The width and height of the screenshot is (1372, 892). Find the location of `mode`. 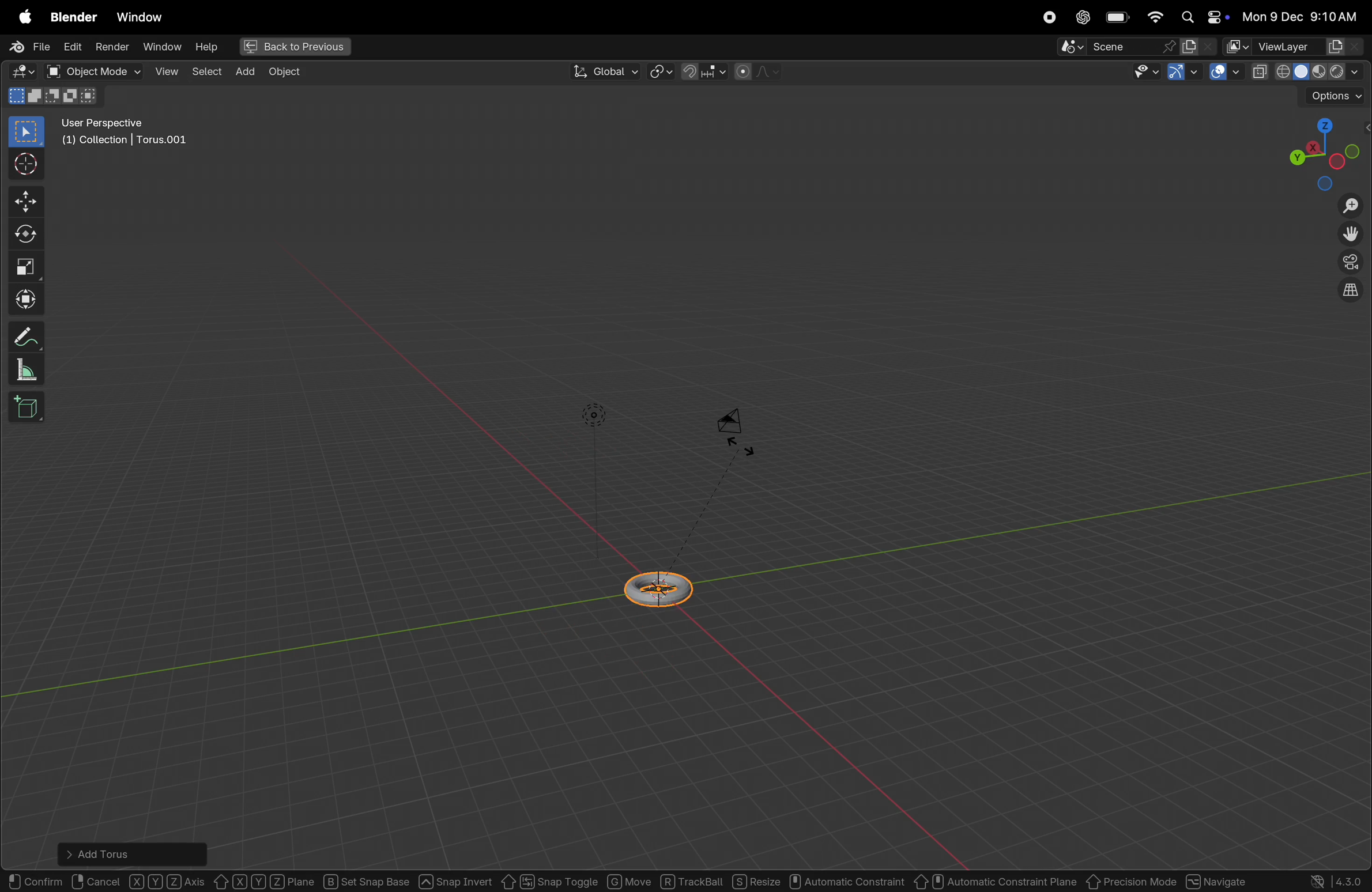

mode is located at coordinates (55, 98).